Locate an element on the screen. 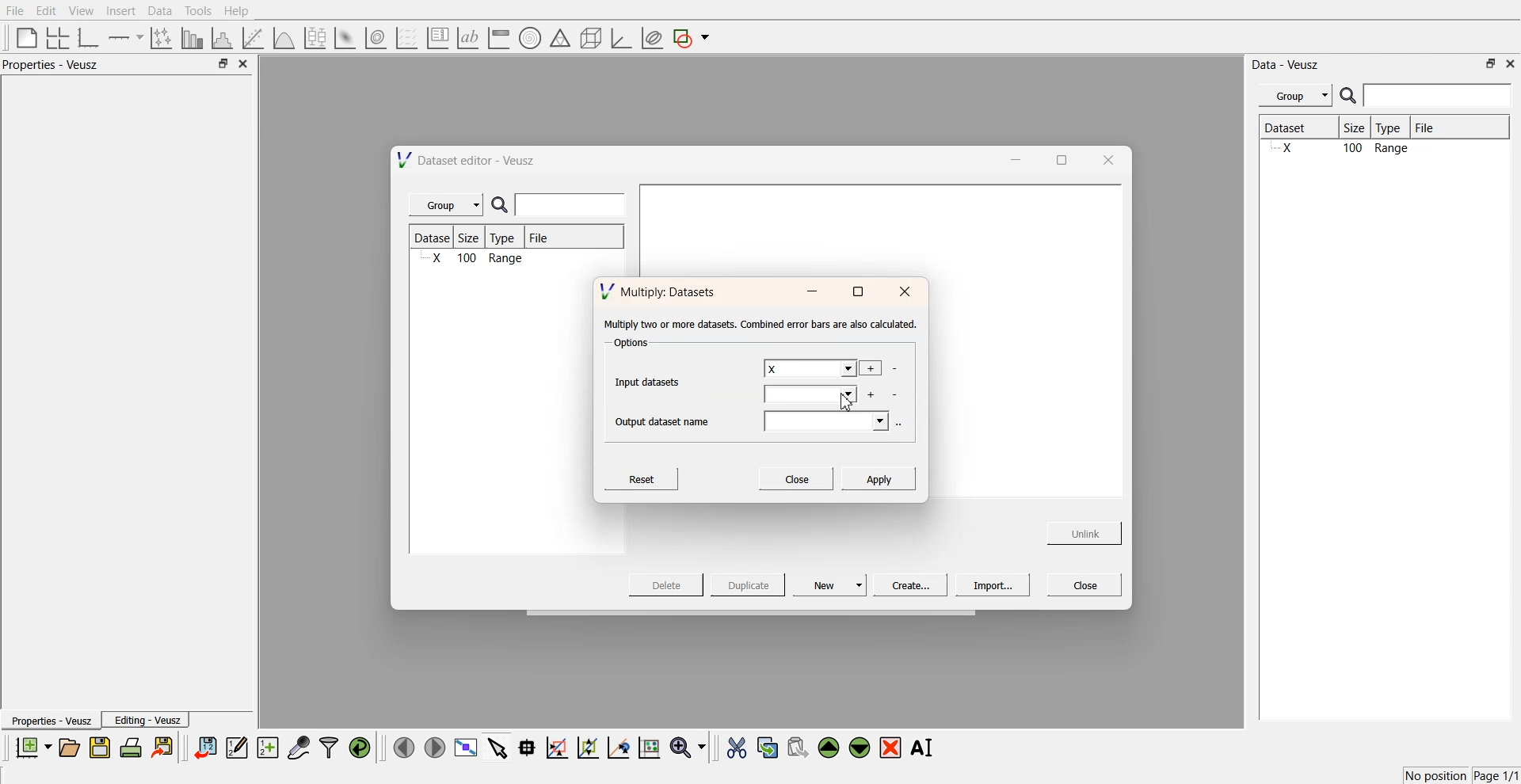  search icon is located at coordinates (1350, 95).